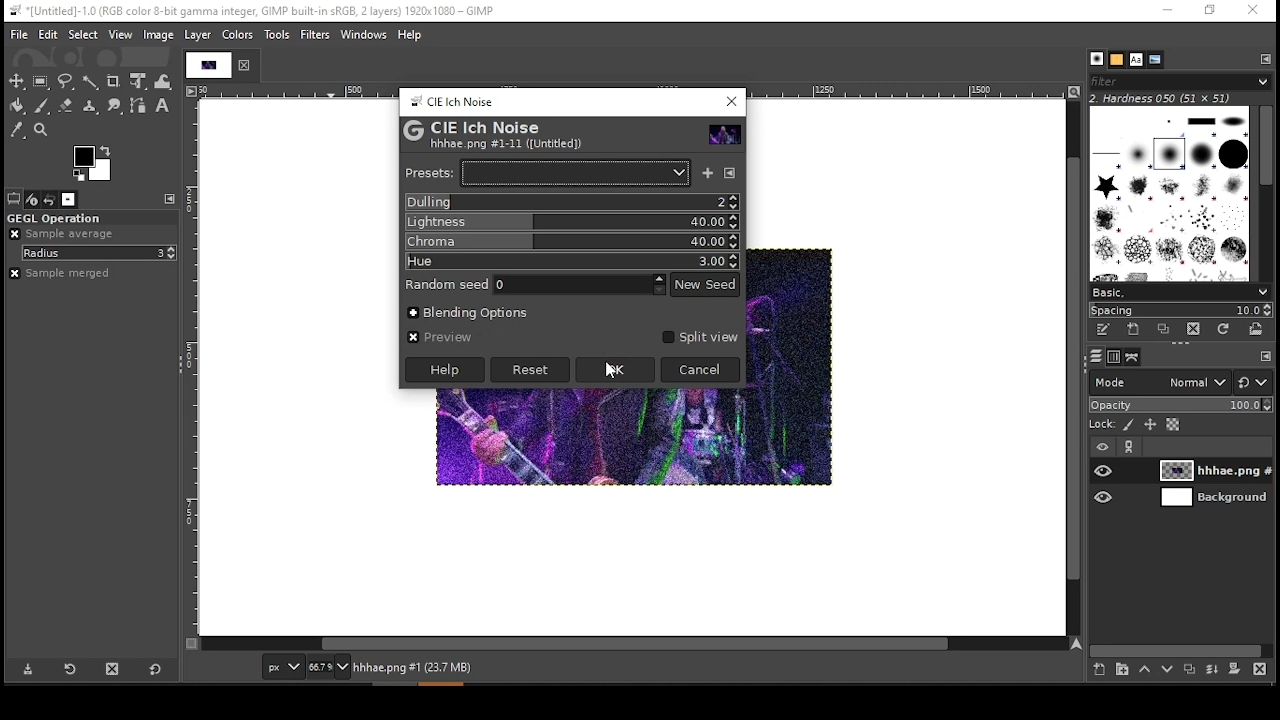 Image resolution: width=1280 pixels, height=720 pixels. What do you see at coordinates (1168, 12) in the screenshot?
I see `minimize` at bounding box center [1168, 12].